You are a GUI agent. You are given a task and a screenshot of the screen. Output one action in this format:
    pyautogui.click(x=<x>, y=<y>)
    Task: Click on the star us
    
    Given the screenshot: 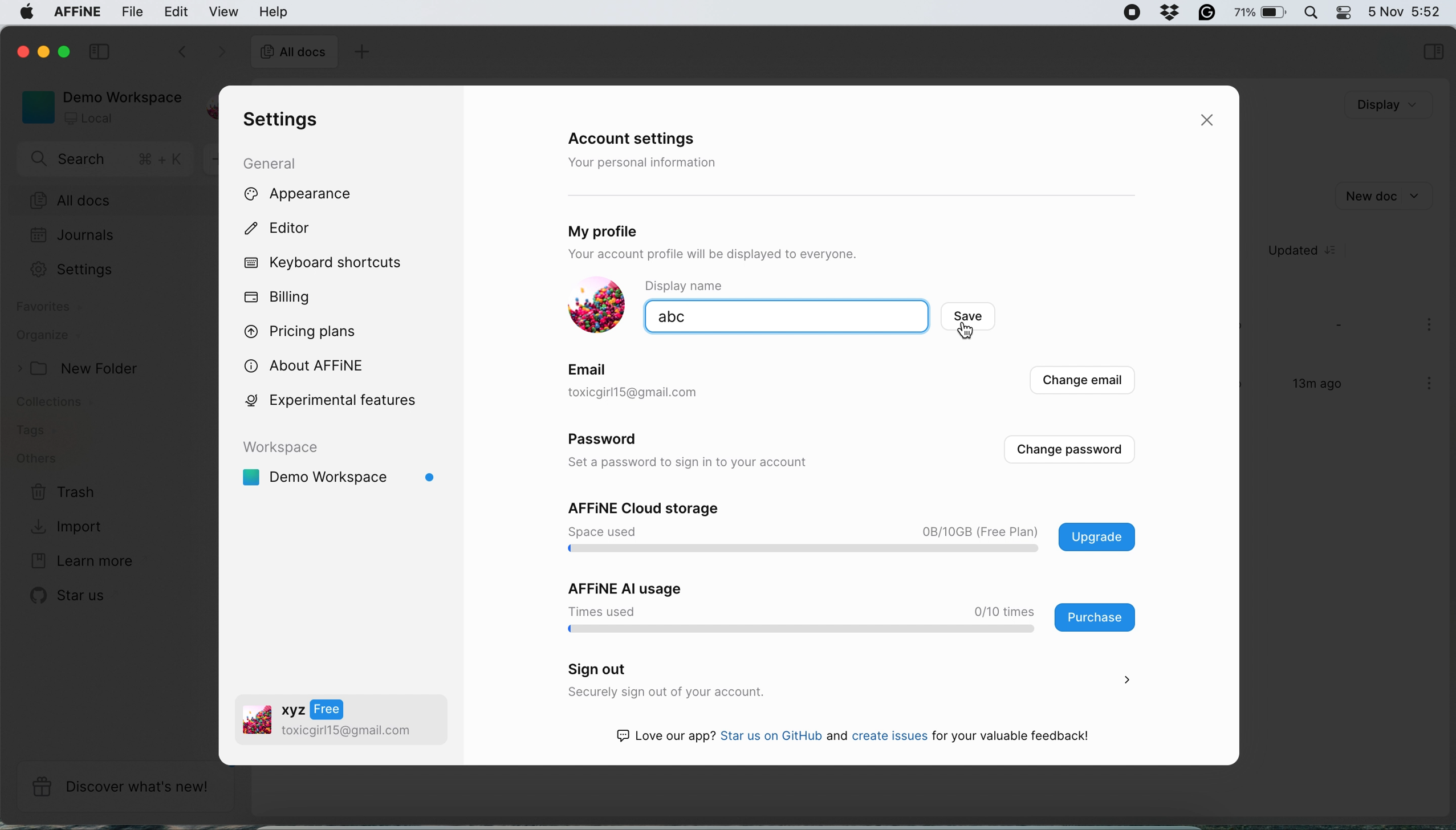 What is the action you would take?
    pyautogui.click(x=71, y=595)
    